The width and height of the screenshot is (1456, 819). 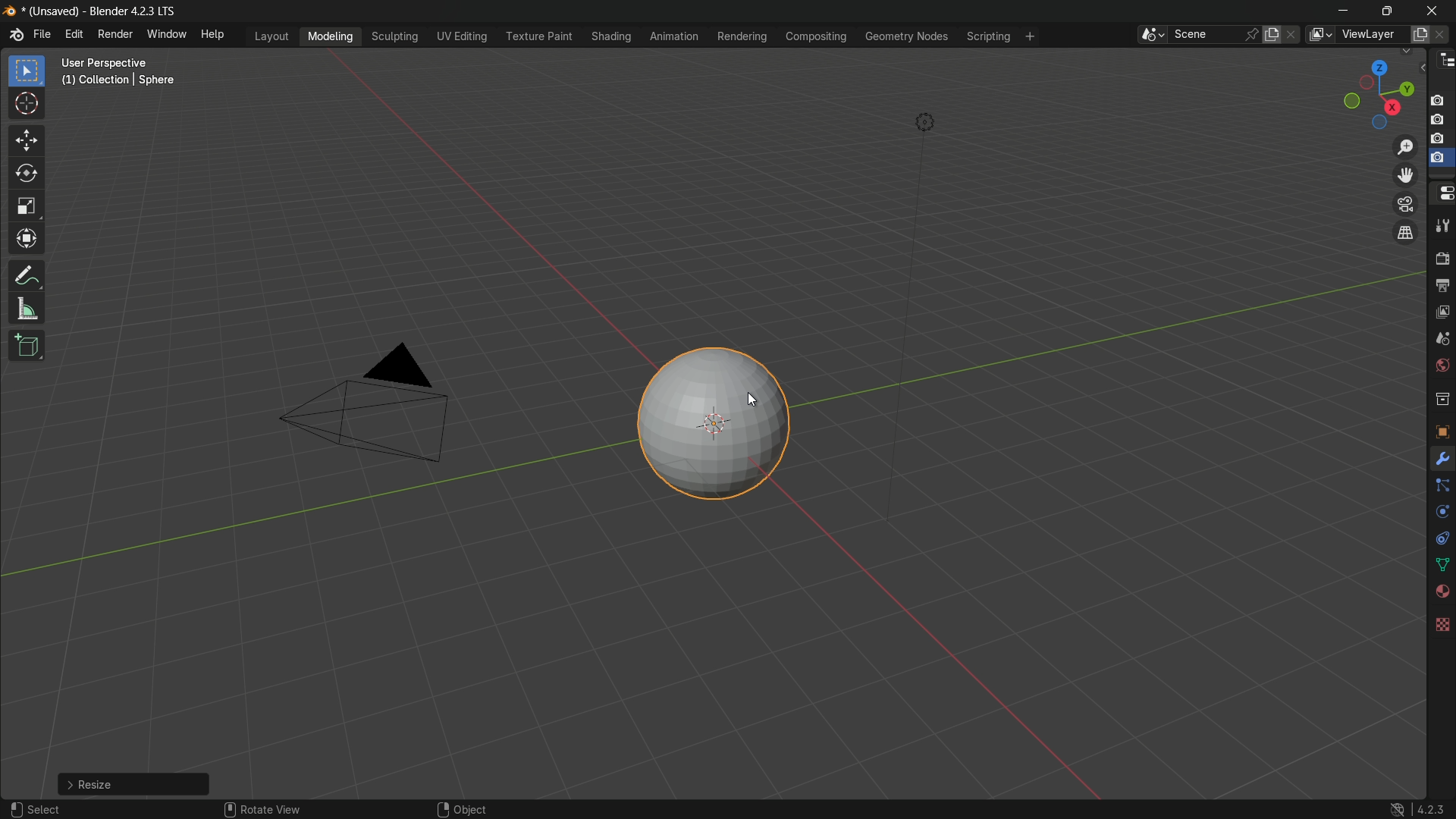 I want to click on capture, so click(x=1441, y=121).